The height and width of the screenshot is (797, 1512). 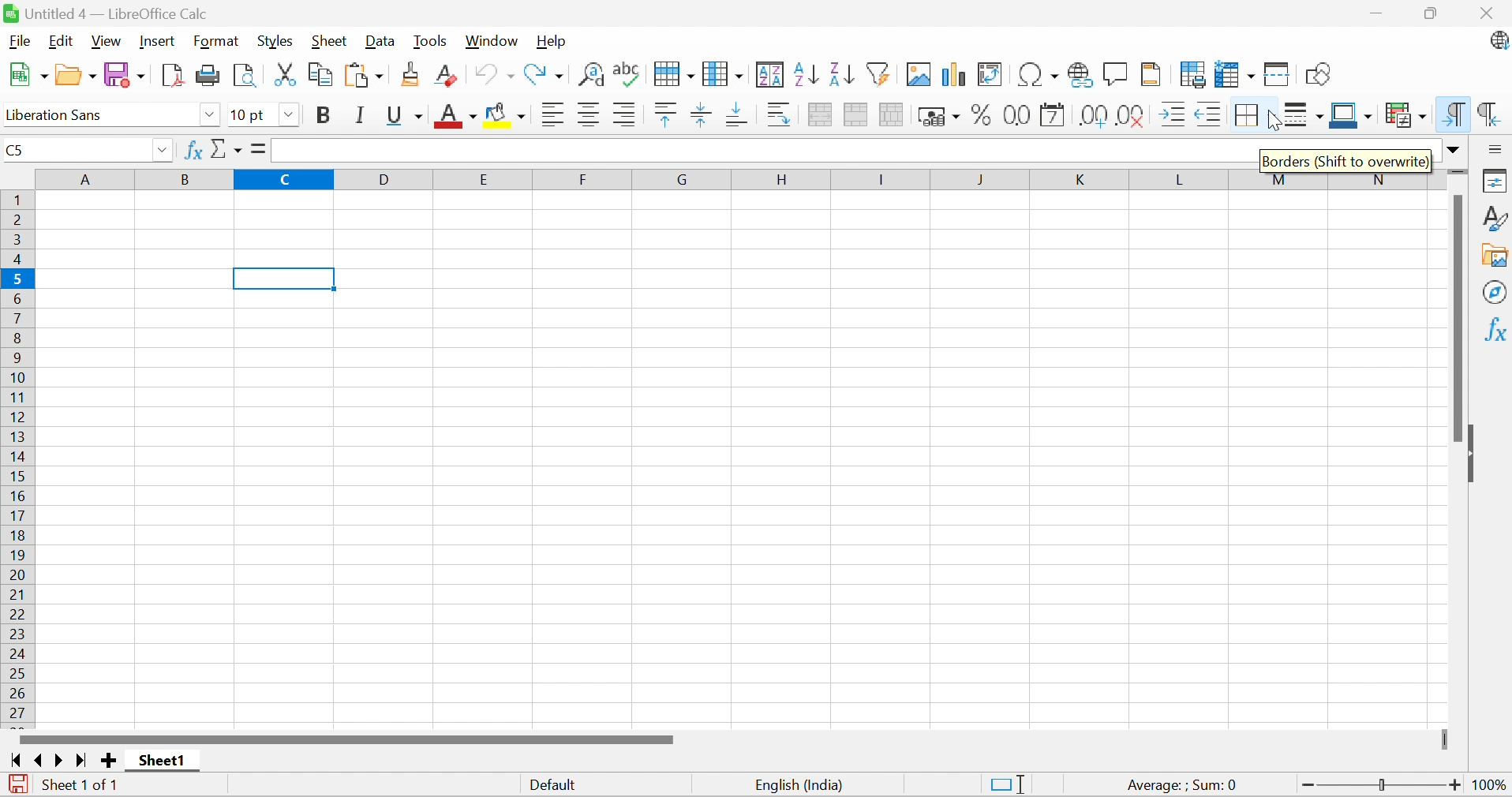 What do you see at coordinates (780, 115) in the screenshot?
I see `Wrap text` at bounding box center [780, 115].